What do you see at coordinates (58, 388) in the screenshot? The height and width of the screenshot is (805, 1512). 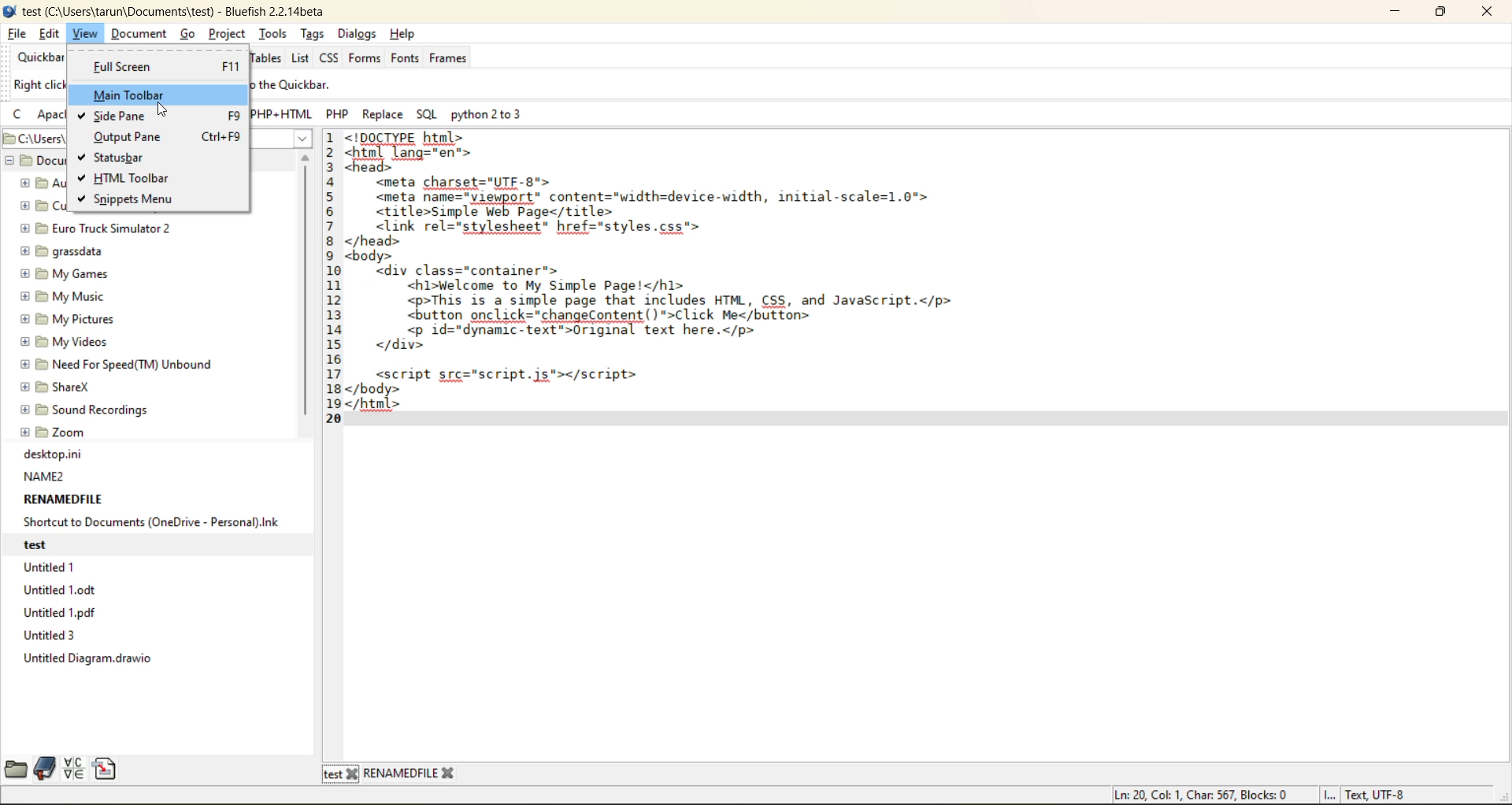 I see `# [9 ShareX` at bounding box center [58, 388].